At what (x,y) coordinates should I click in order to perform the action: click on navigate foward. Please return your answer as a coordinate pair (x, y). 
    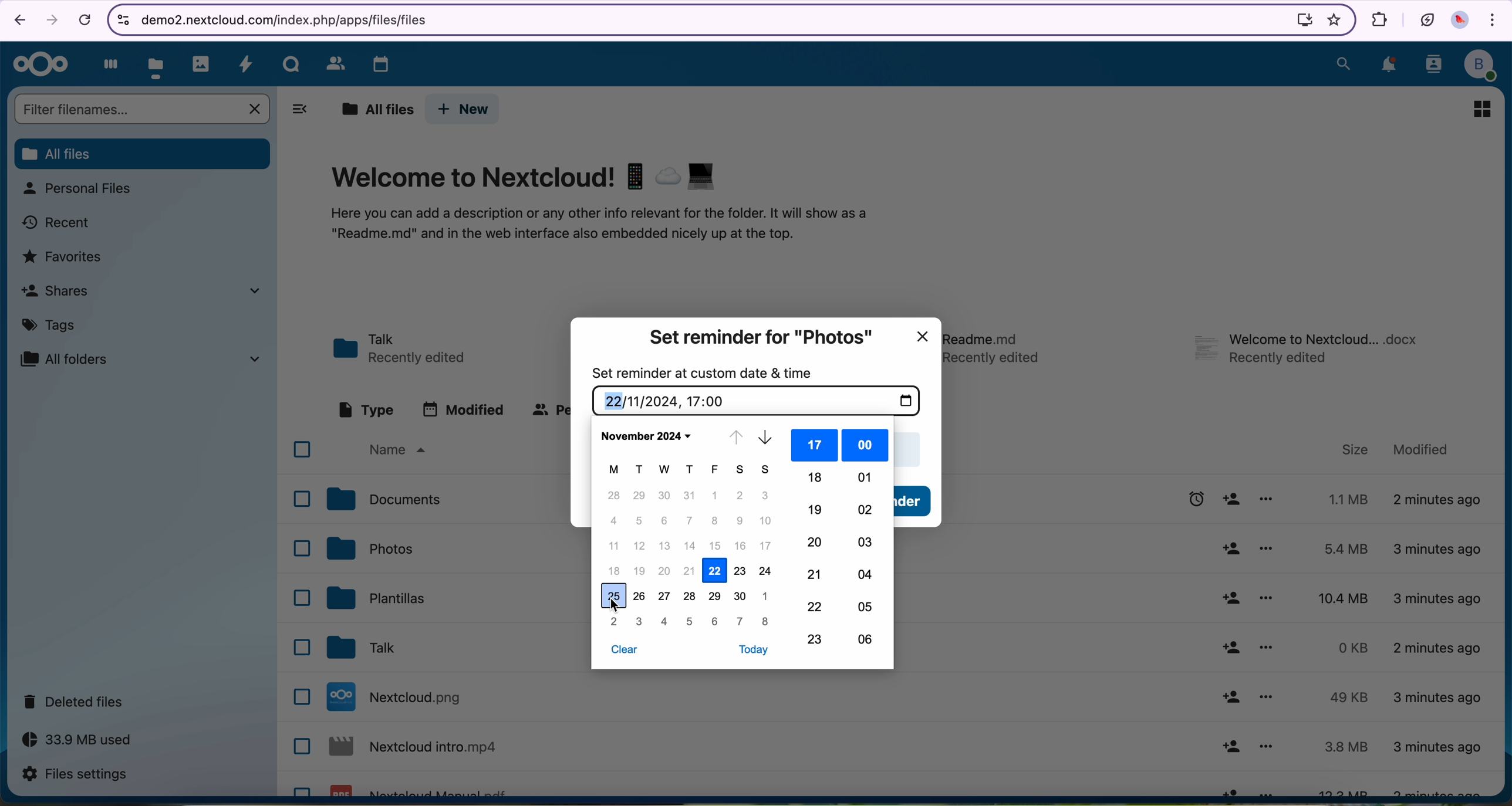
    Looking at the image, I should click on (51, 21).